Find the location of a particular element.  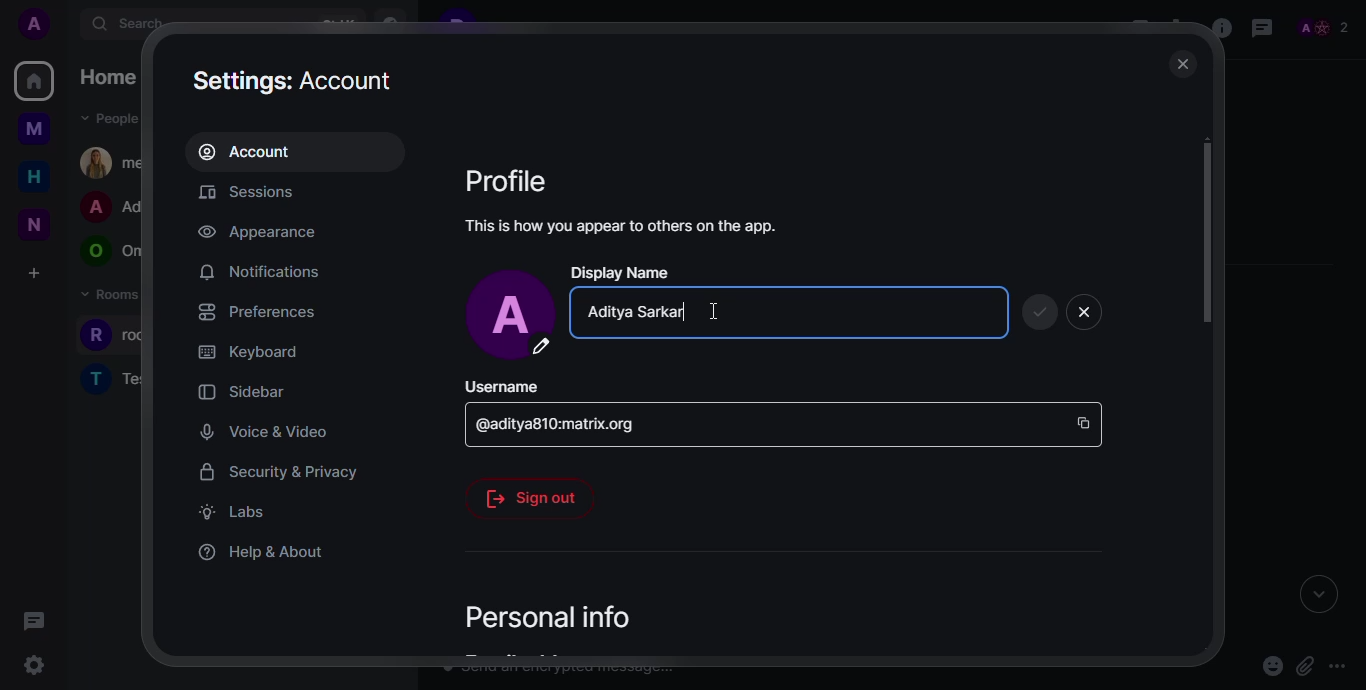

sig out is located at coordinates (532, 497).